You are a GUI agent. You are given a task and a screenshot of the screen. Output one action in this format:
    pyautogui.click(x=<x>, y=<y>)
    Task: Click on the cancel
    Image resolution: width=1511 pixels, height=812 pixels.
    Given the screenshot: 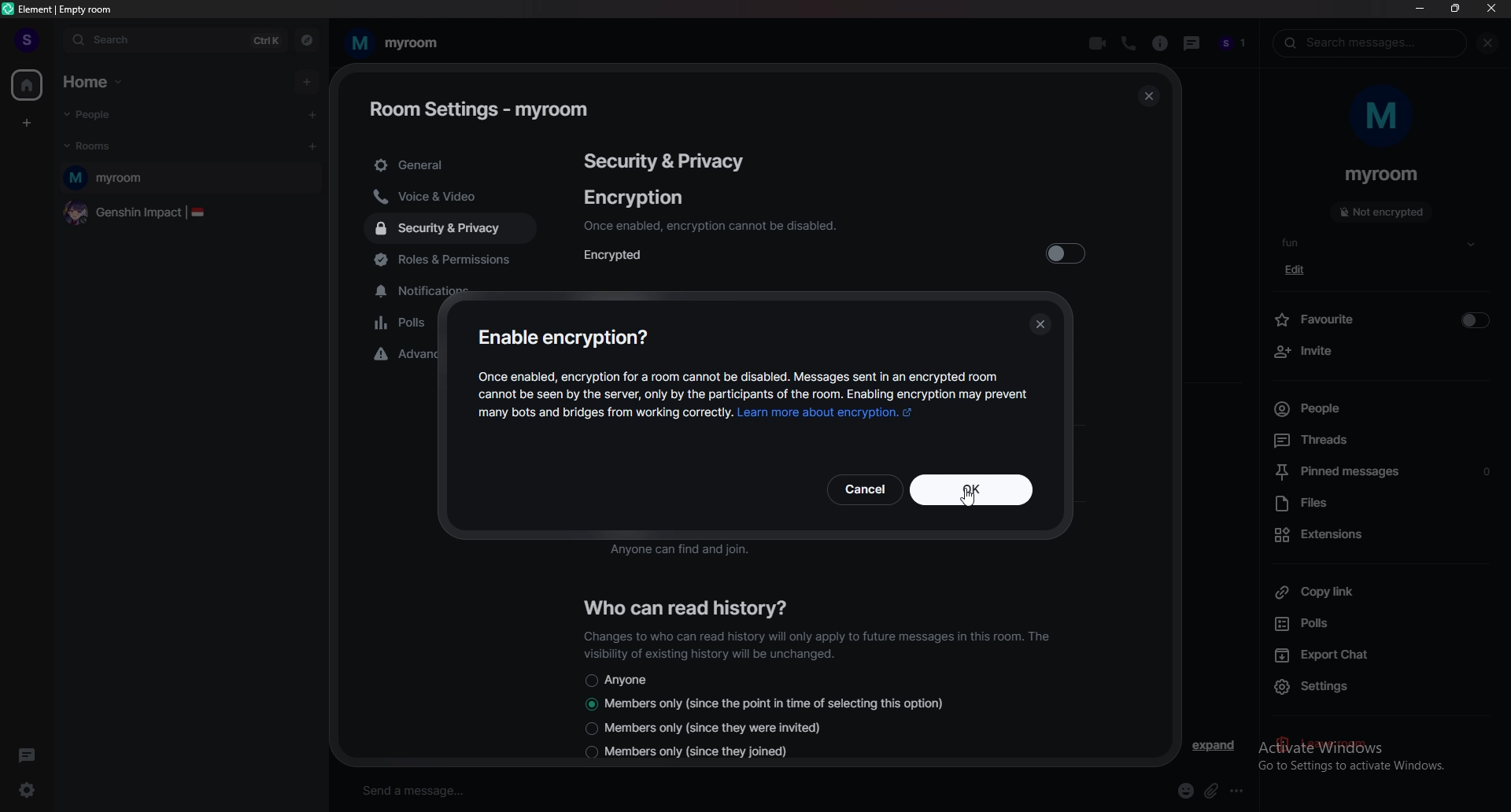 What is the action you would take?
    pyautogui.click(x=866, y=490)
    